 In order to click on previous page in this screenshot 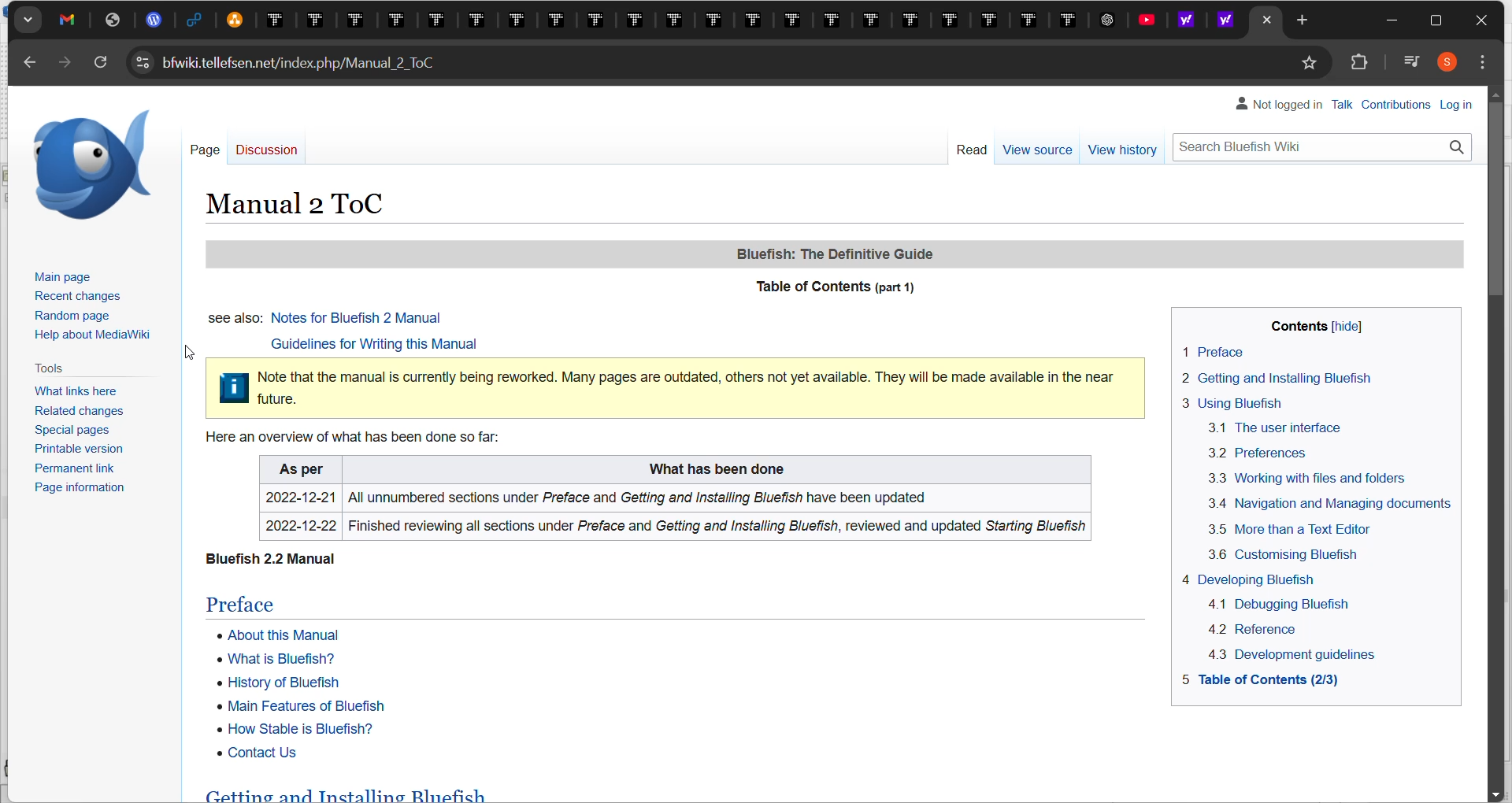, I will do `click(31, 66)`.